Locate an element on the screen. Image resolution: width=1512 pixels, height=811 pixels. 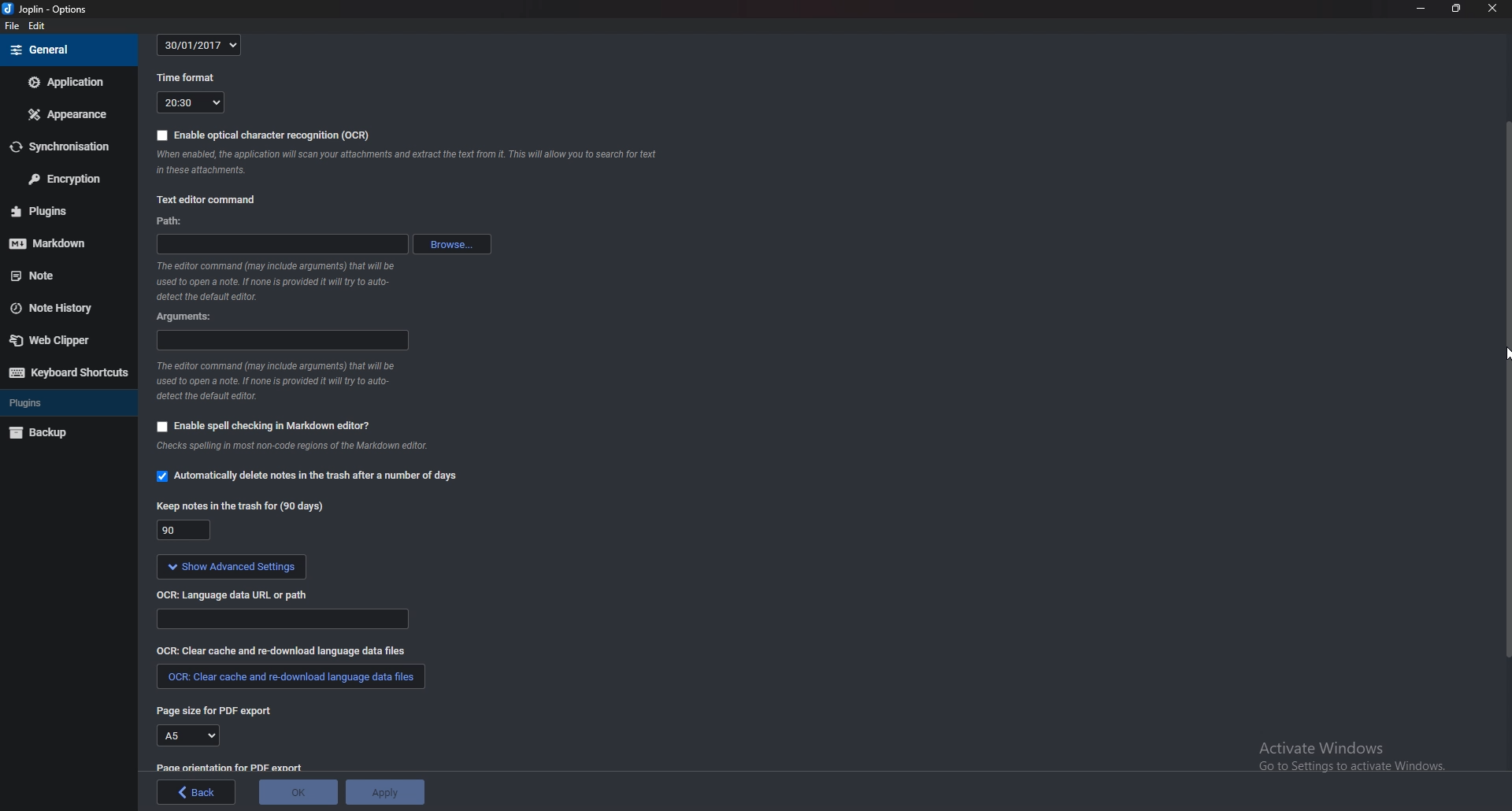
Info on spell checking is located at coordinates (300, 450).